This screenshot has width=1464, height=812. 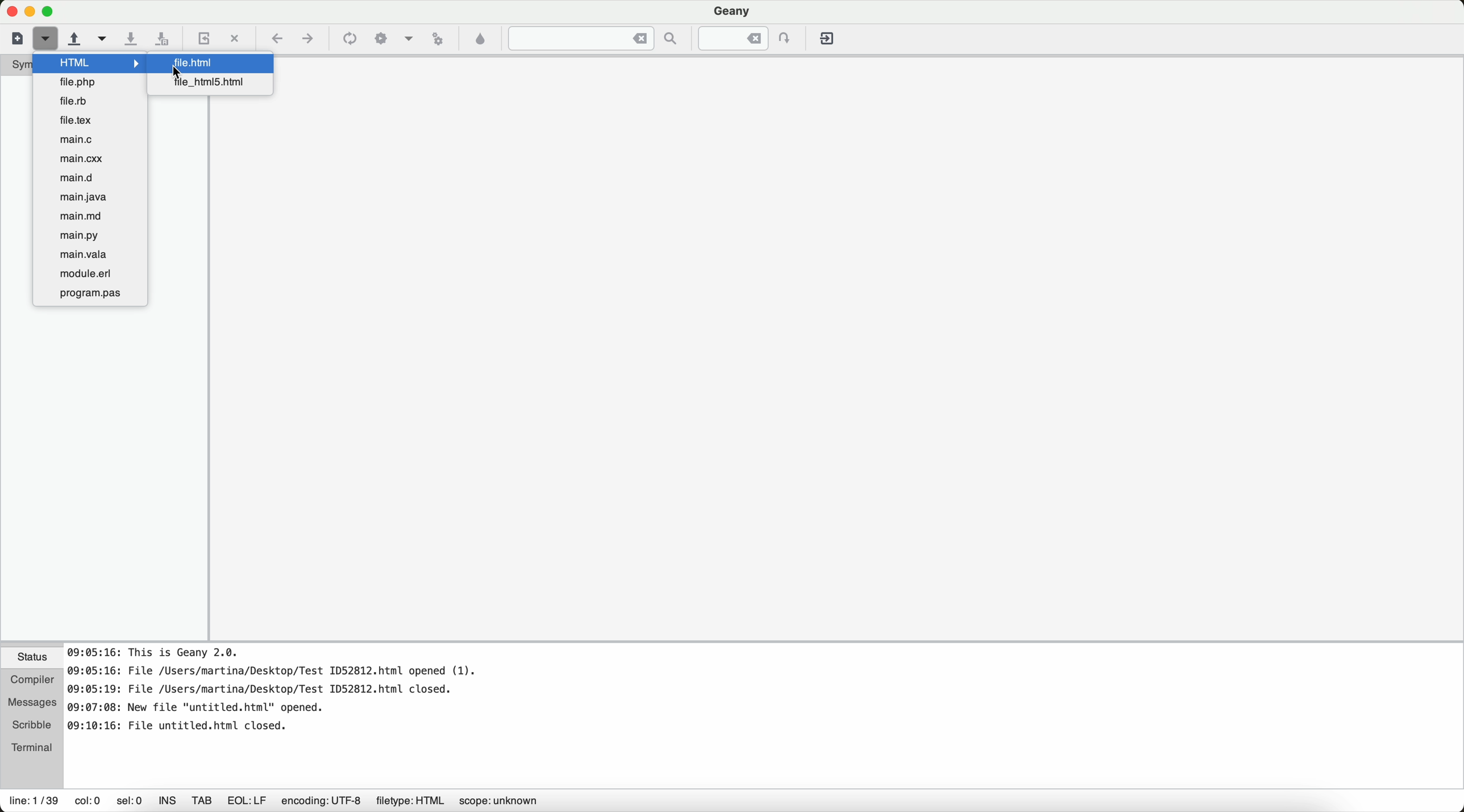 What do you see at coordinates (733, 11) in the screenshot?
I see `Geany` at bounding box center [733, 11].